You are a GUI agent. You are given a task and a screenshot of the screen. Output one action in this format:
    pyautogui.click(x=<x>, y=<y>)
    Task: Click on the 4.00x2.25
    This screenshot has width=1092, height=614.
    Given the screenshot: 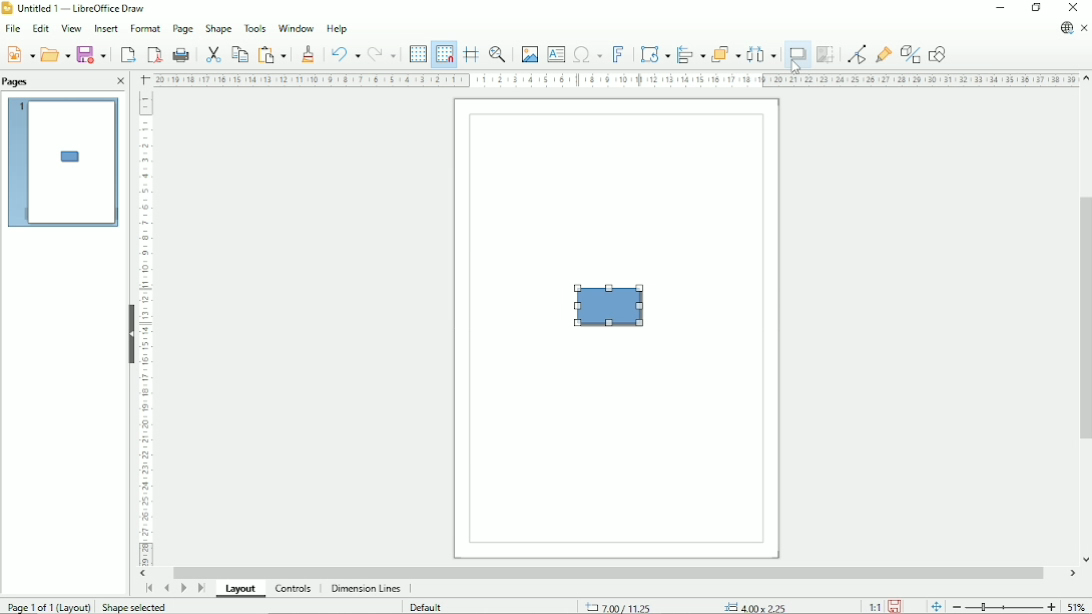 What is the action you would take?
    pyautogui.click(x=759, y=606)
    